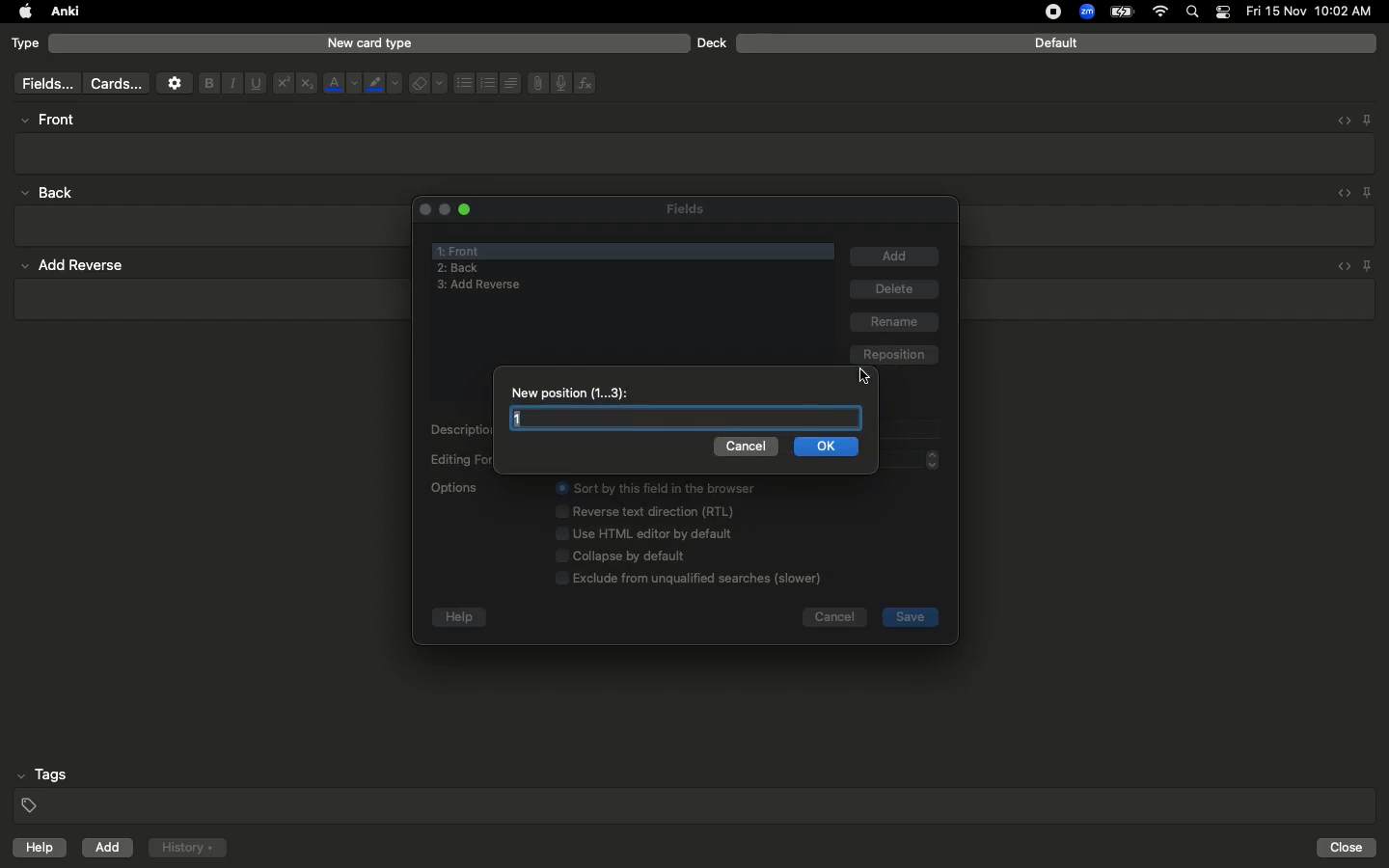  What do you see at coordinates (638, 532) in the screenshot?
I see `Options` at bounding box center [638, 532].